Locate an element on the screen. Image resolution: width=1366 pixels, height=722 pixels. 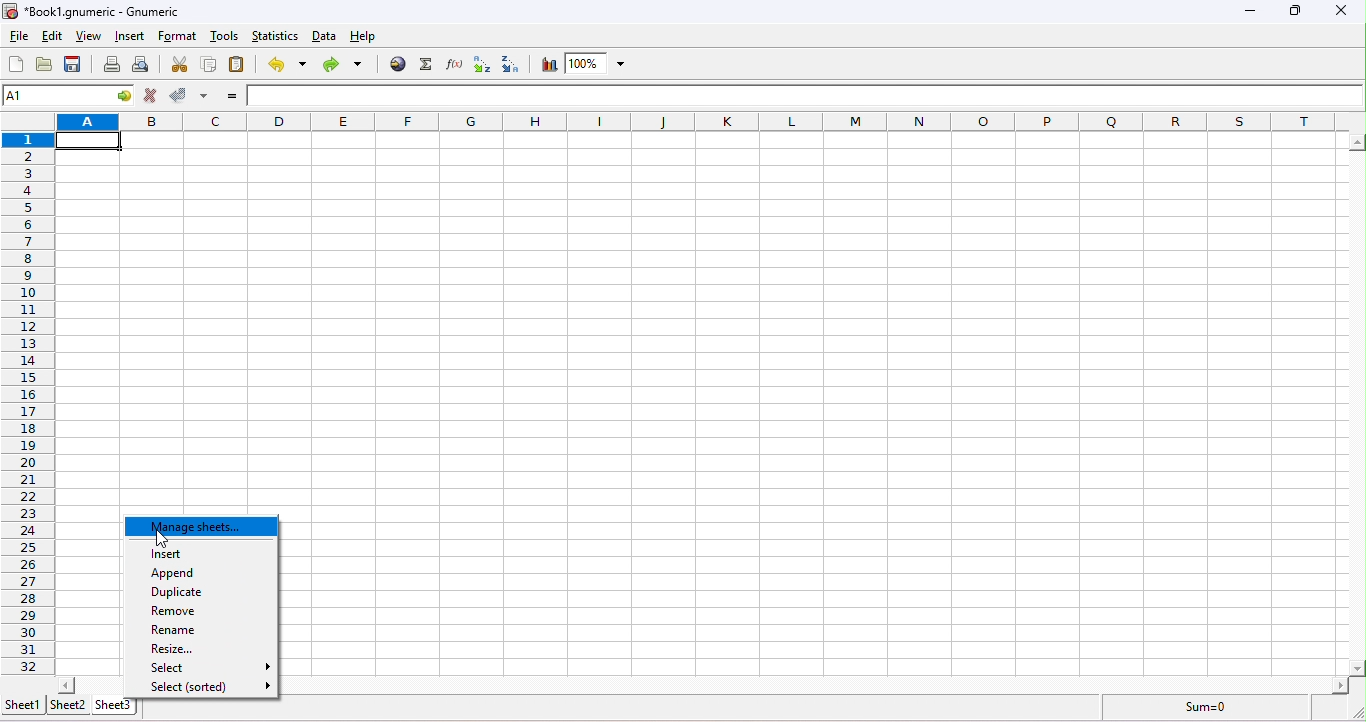
append is located at coordinates (189, 575).